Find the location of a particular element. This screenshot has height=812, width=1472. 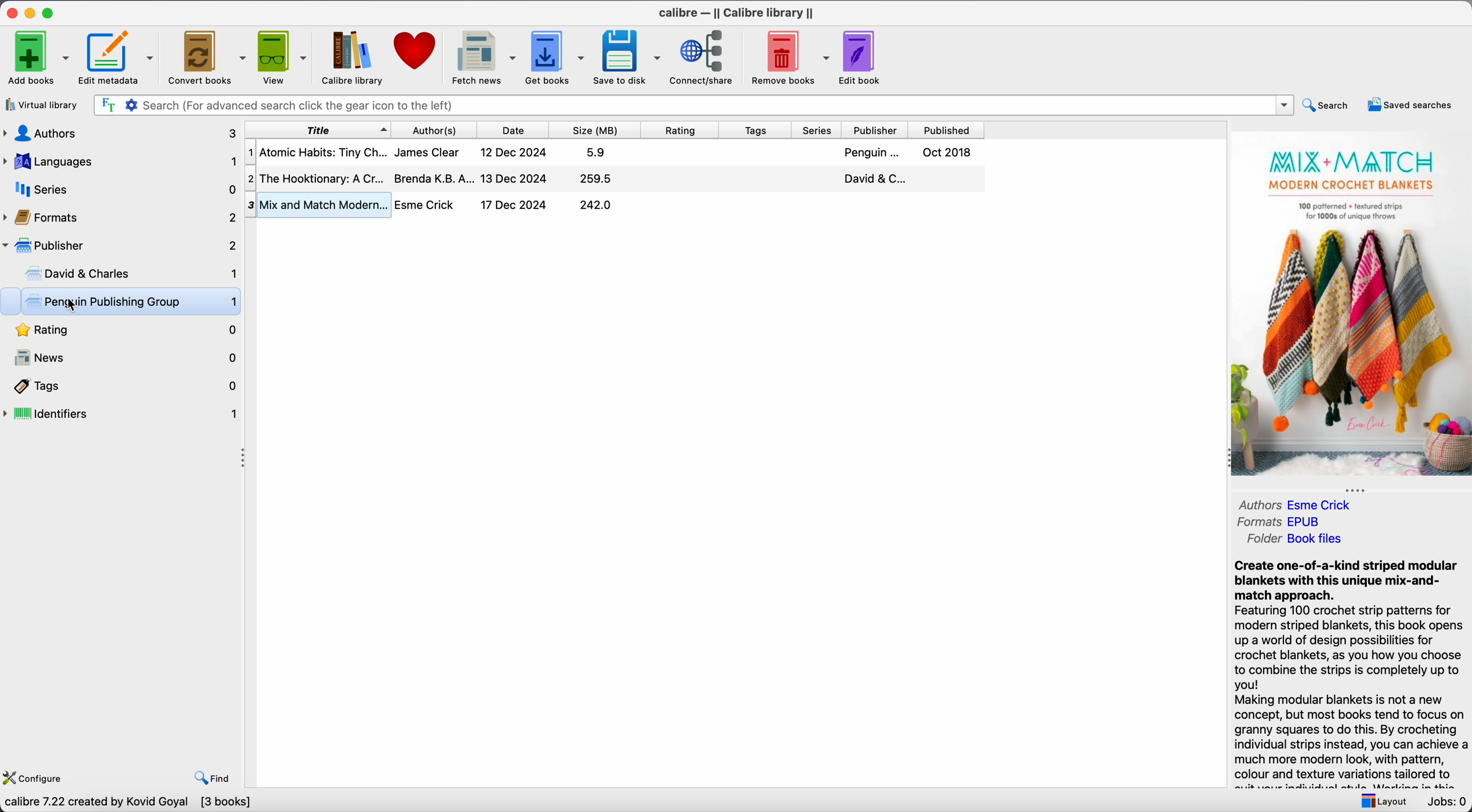

search bar is located at coordinates (692, 105).